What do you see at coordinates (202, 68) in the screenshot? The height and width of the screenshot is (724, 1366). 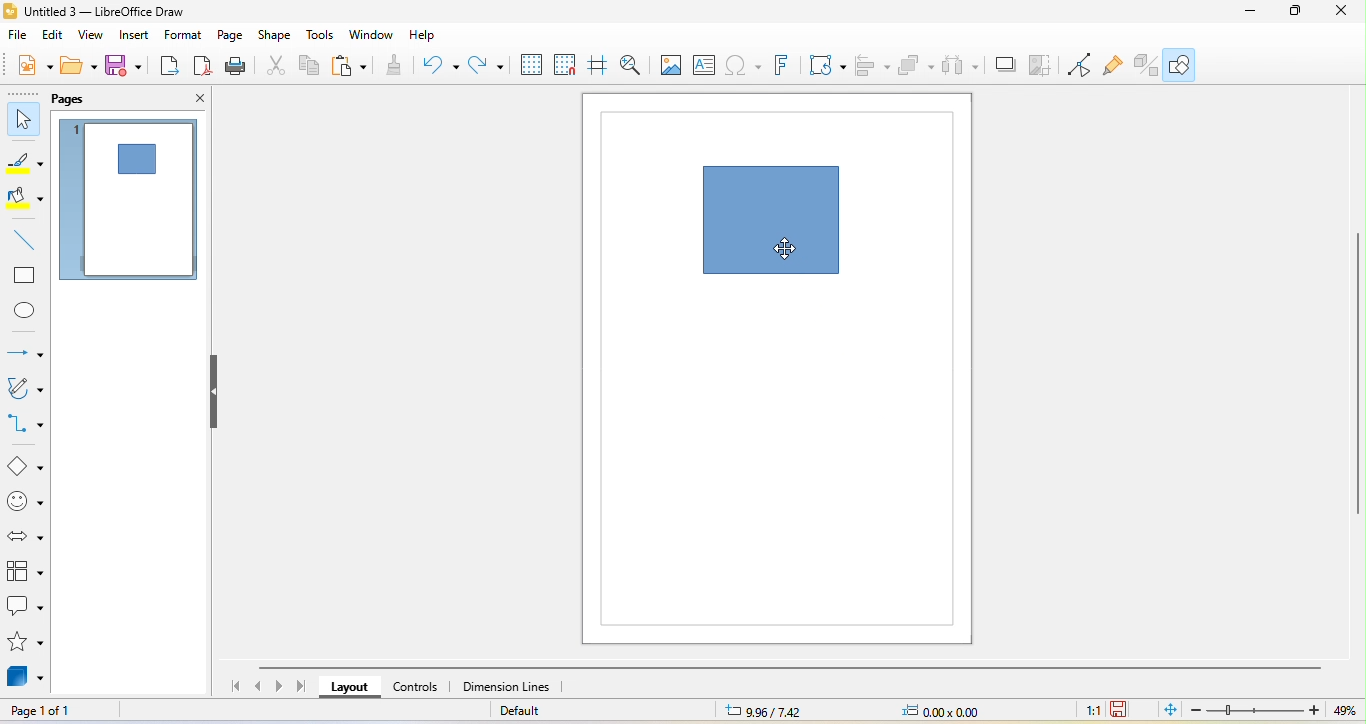 I see `export directly as pdf` at bounding box center [202, 68].